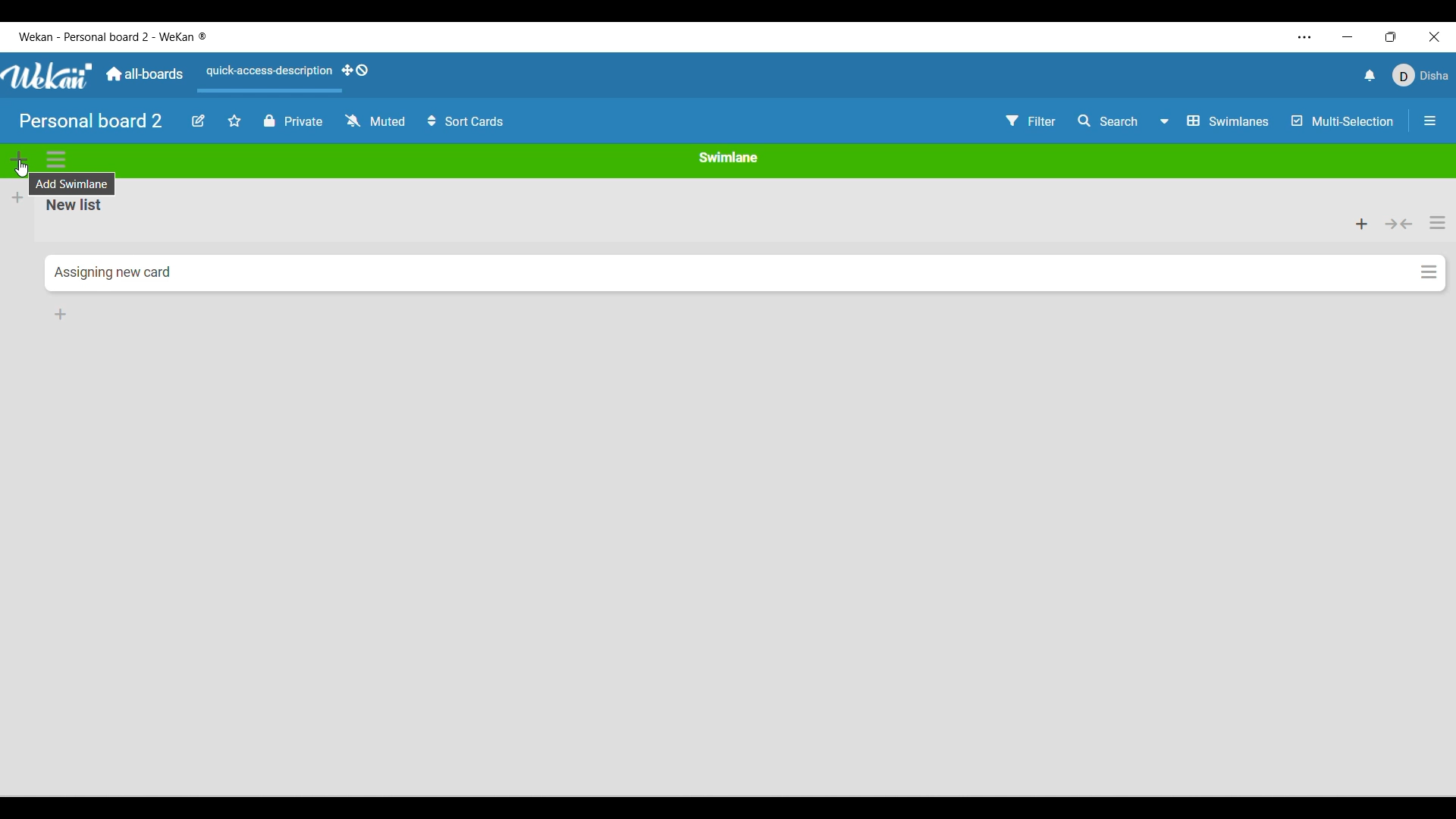  What do you see at coordinates (61, 314) in the screenshot?
I see `Add card to bottom of list` at bounding box center [61, 314].